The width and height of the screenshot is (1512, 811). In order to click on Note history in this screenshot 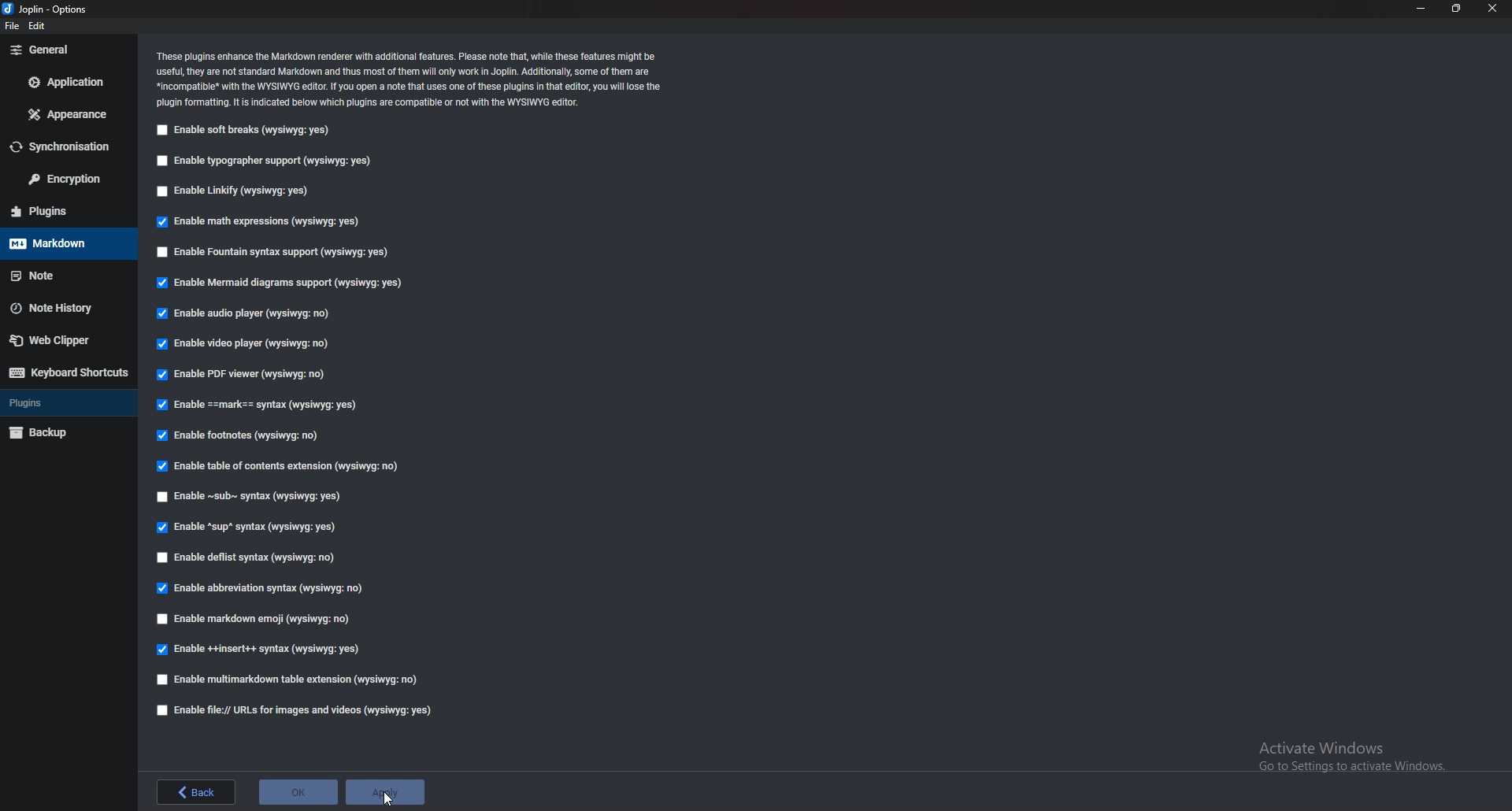, I will do `click(61, 308)`.